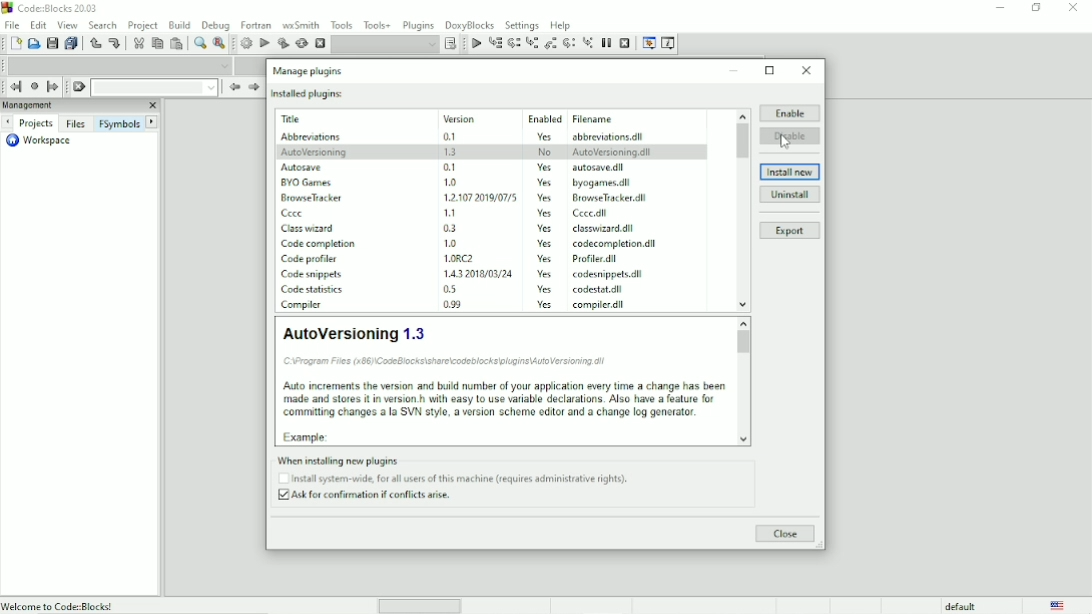 The height and width of the screenshot is (614, 1092). I want to click on Break debugger, so click(606, 43).